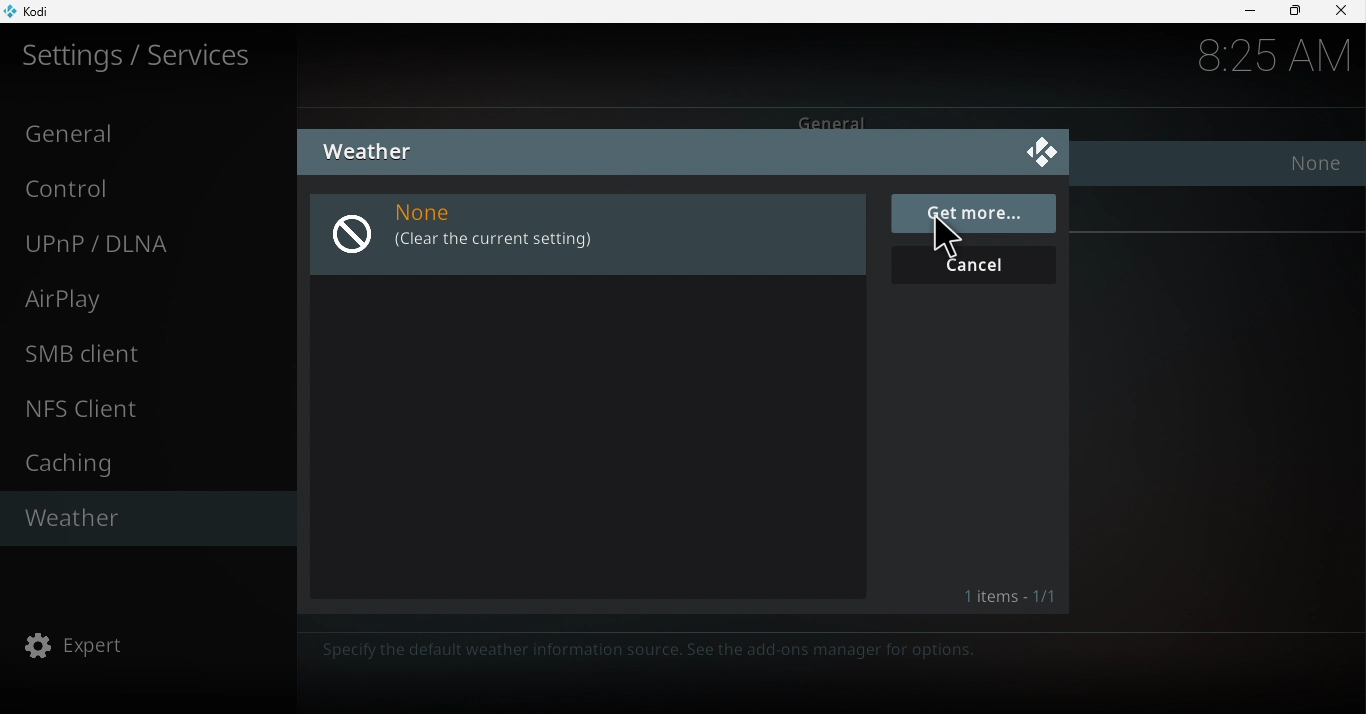 The image size is (1366, 714). What do you see at coordinates (141, 517) in the screenshot?
I see `Weather` at bounding box center [141, 517].